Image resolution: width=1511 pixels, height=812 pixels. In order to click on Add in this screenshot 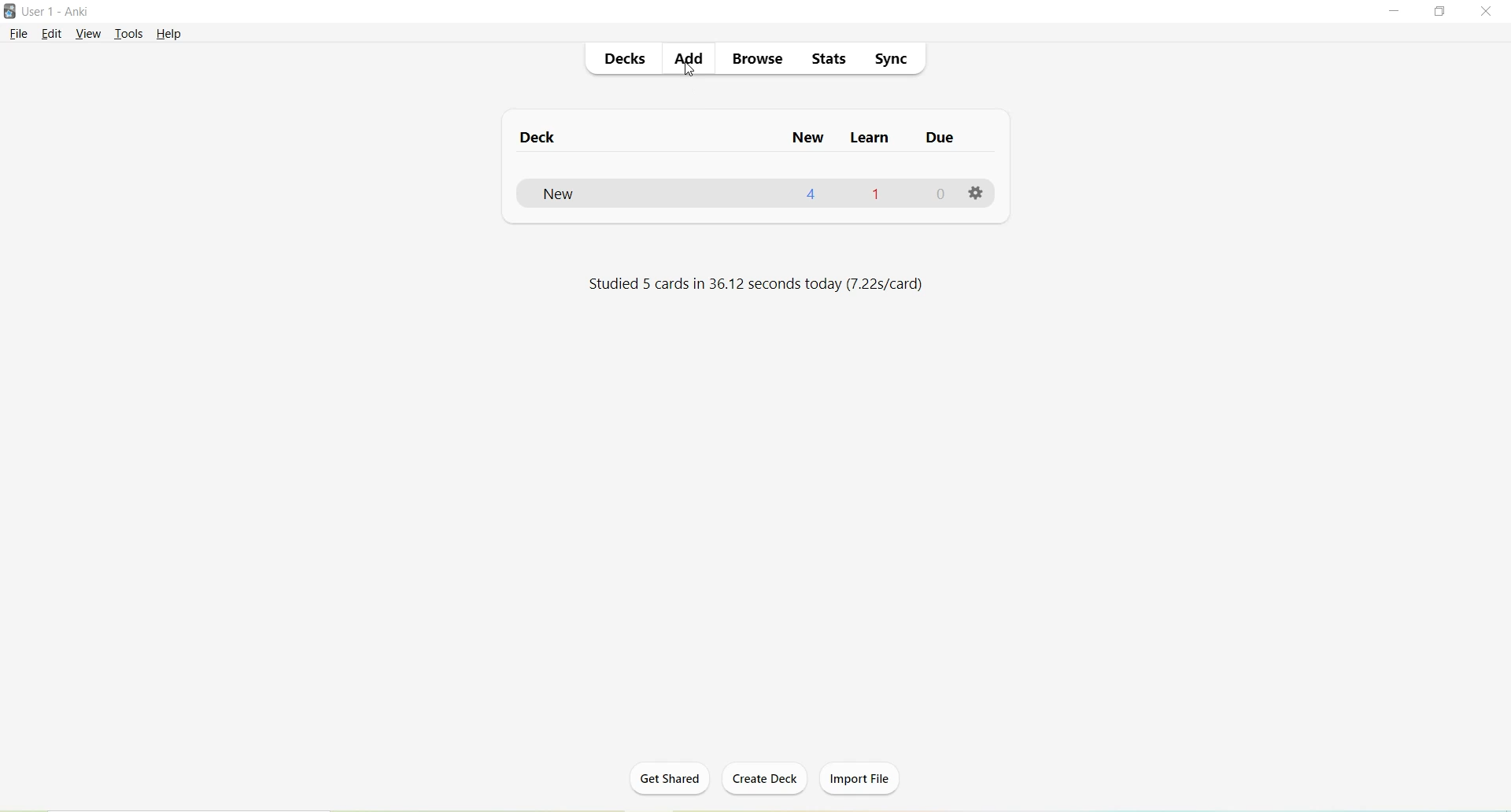, I will do `click(686, 60)`.